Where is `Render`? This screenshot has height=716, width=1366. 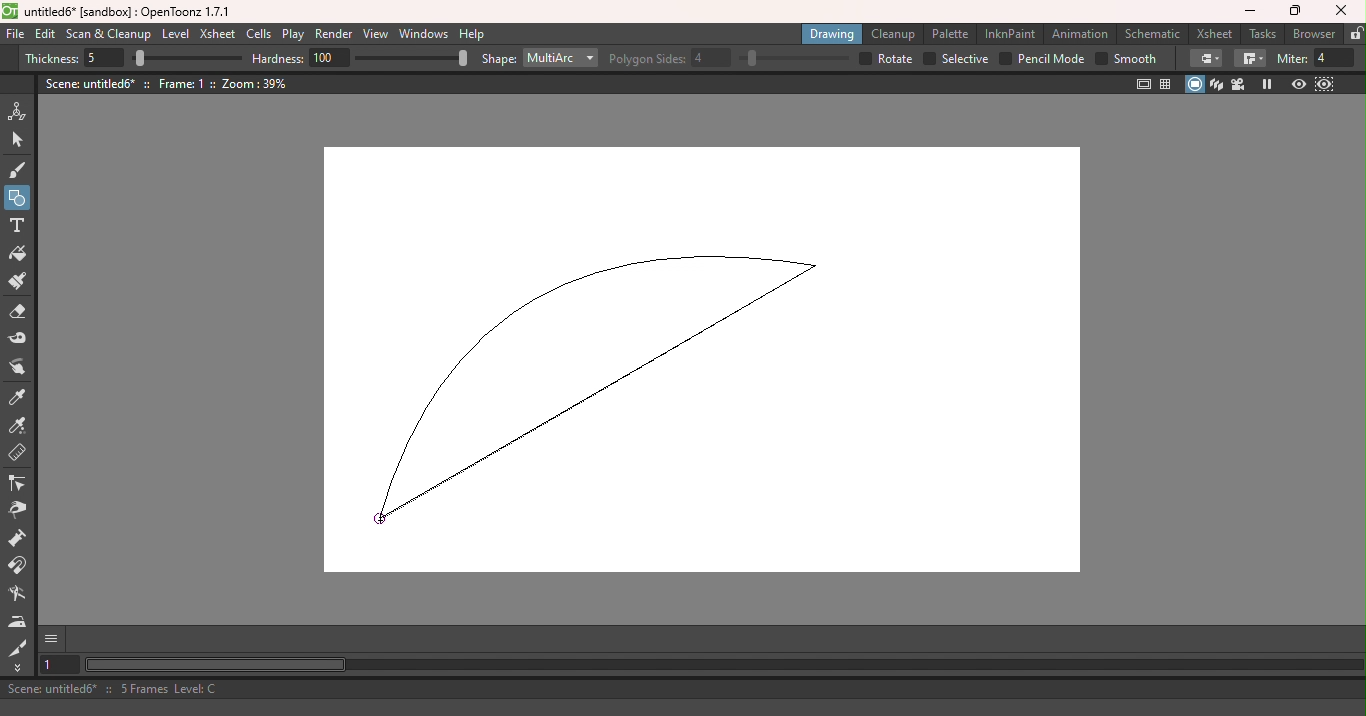 Render is located at coordinates (335, 35).